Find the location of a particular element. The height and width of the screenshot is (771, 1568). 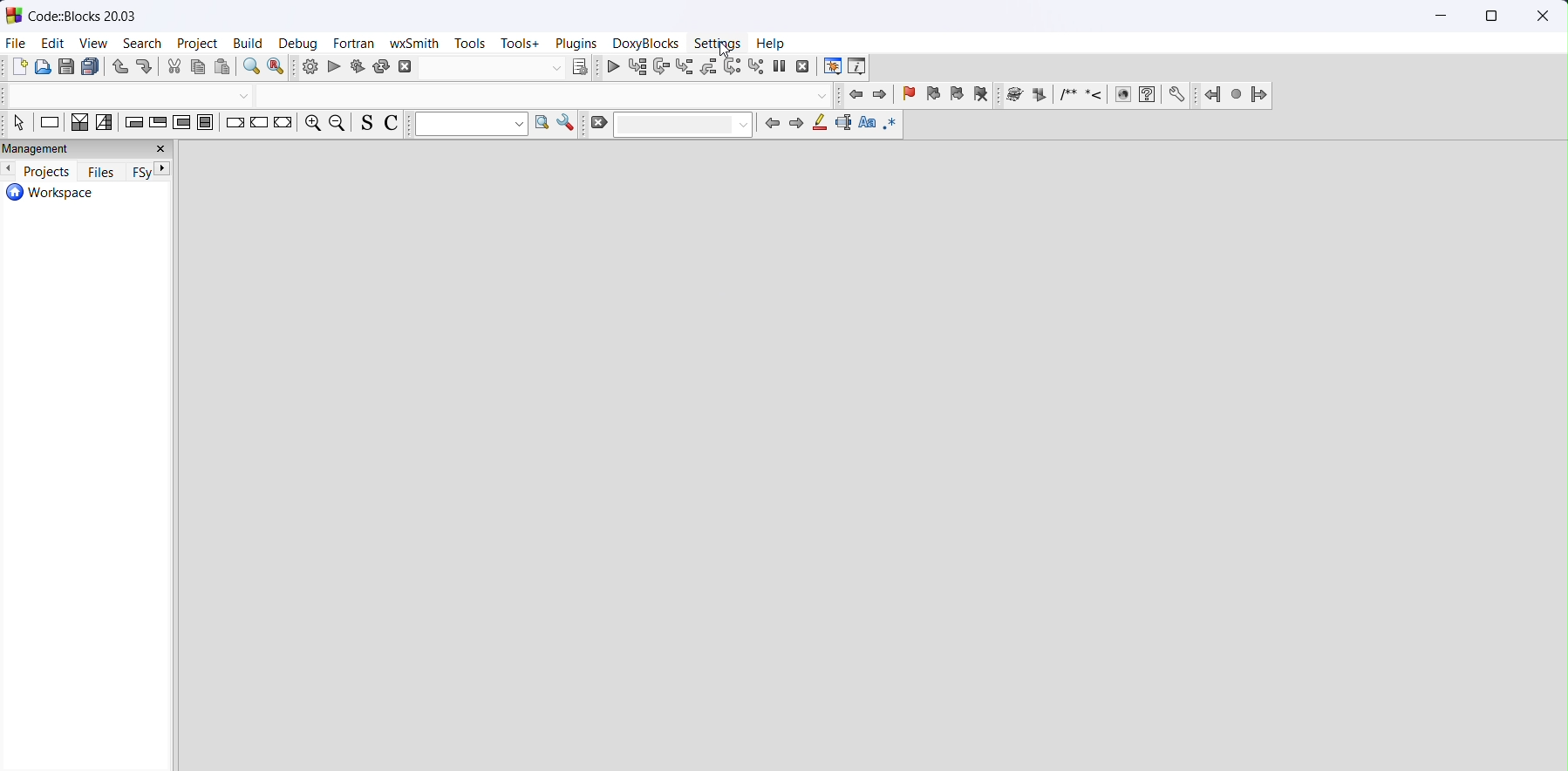

decision is located at coordinates (79, 124).